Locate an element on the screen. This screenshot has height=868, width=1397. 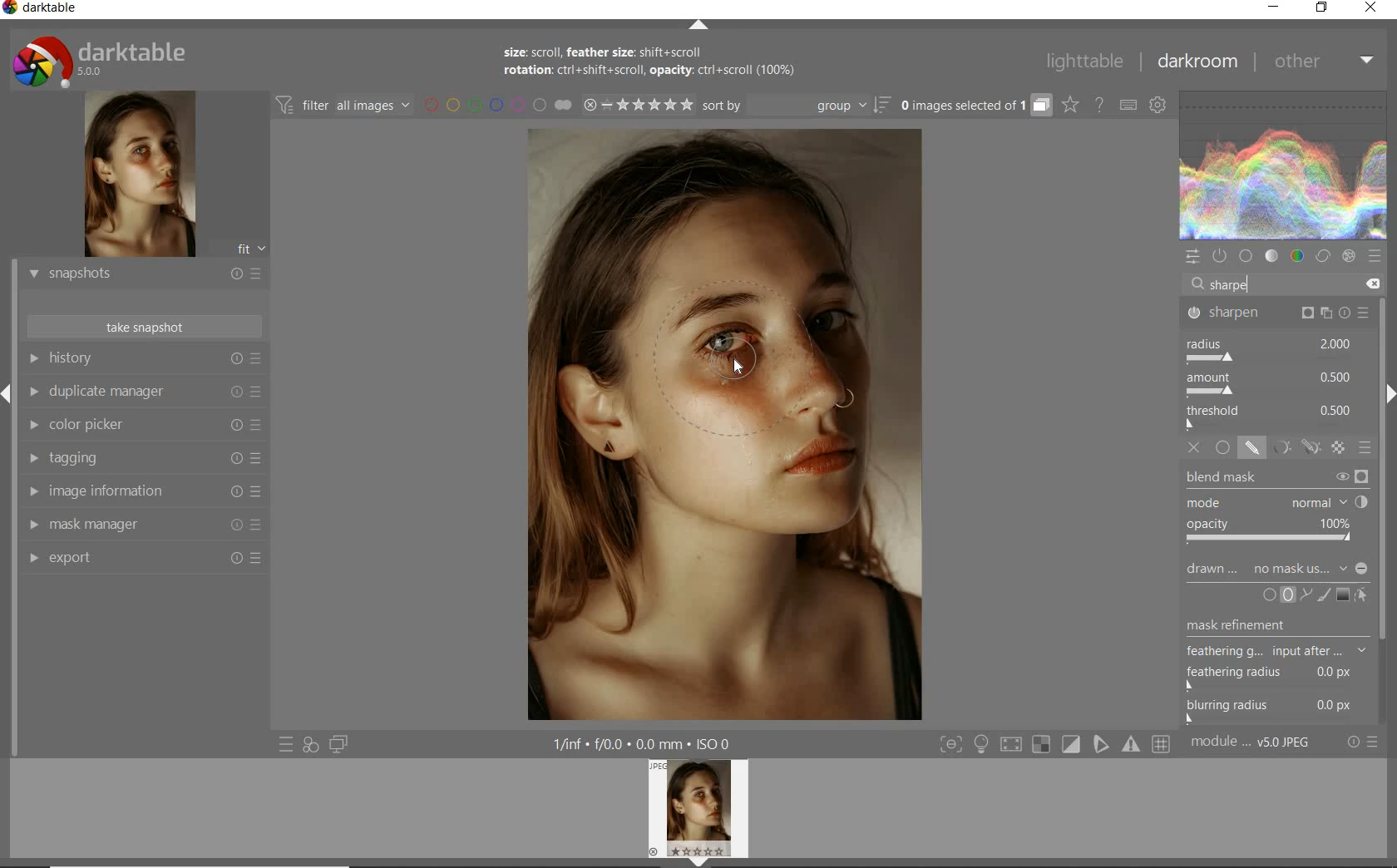
MASK REFINEMENT is located at coordinates (1284, 625).